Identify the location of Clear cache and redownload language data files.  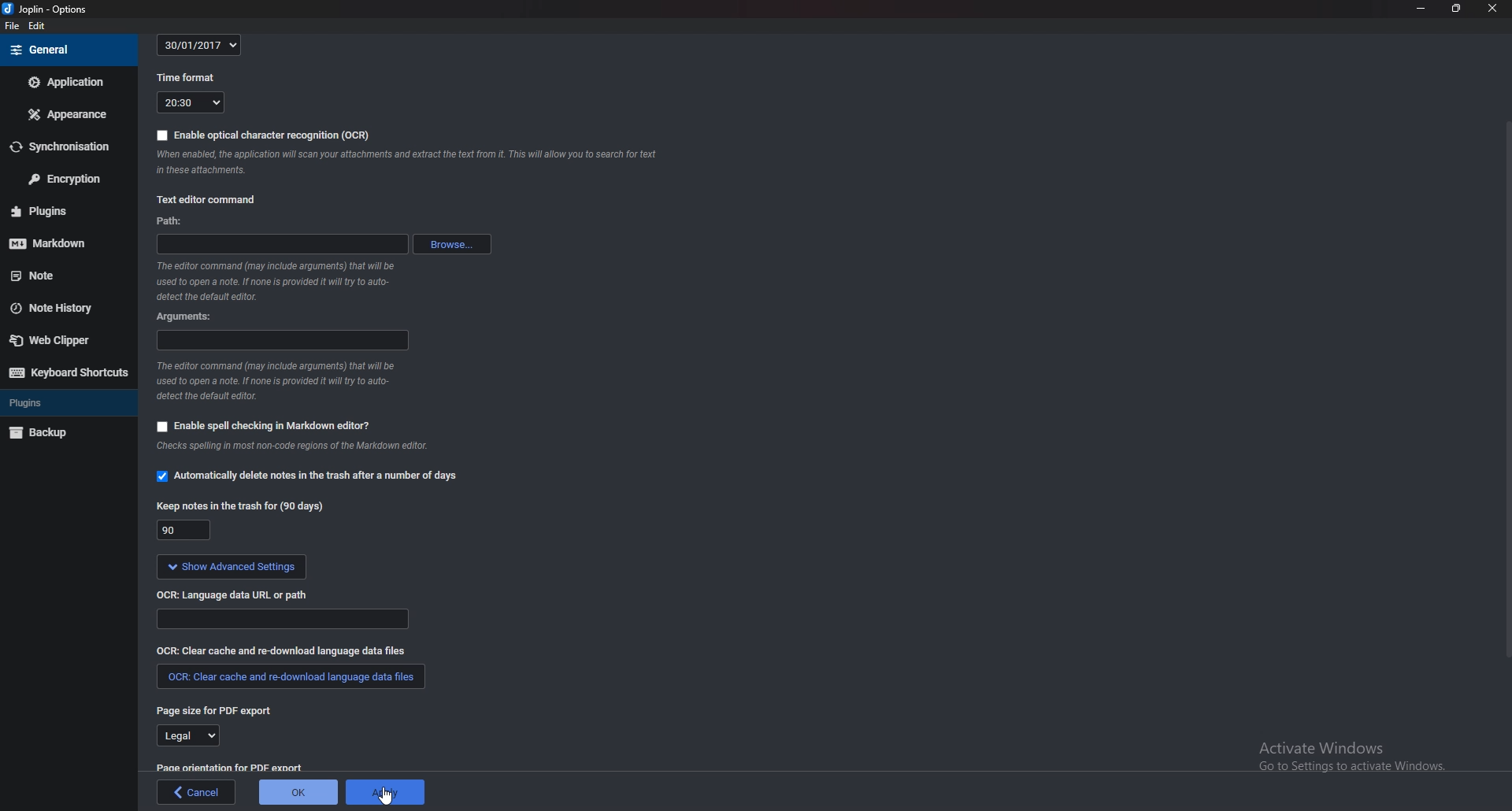
(288, 678).